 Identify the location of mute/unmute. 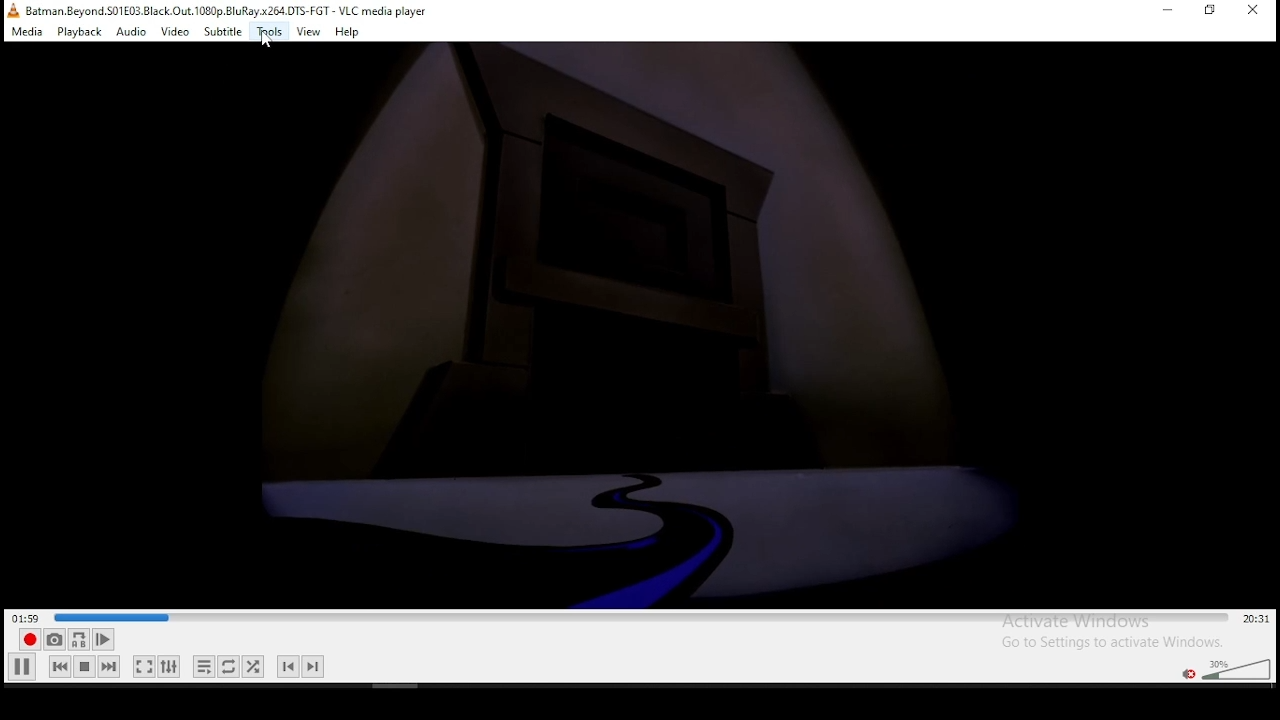
(1187, 673).